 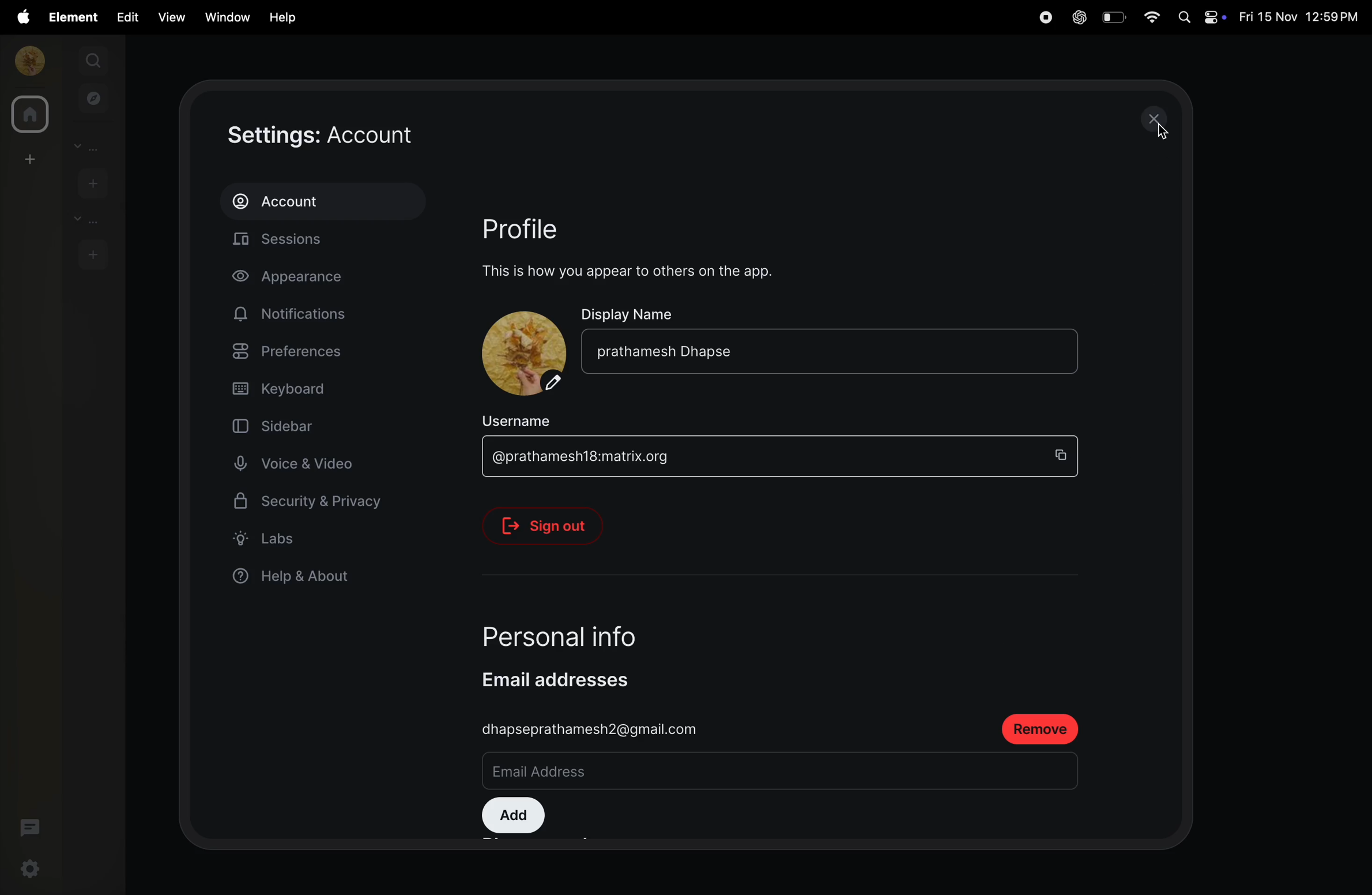 What do you see at coordinates (84, 220) in the screenshot?
I see `rooms` at bounding box center [84, 220].